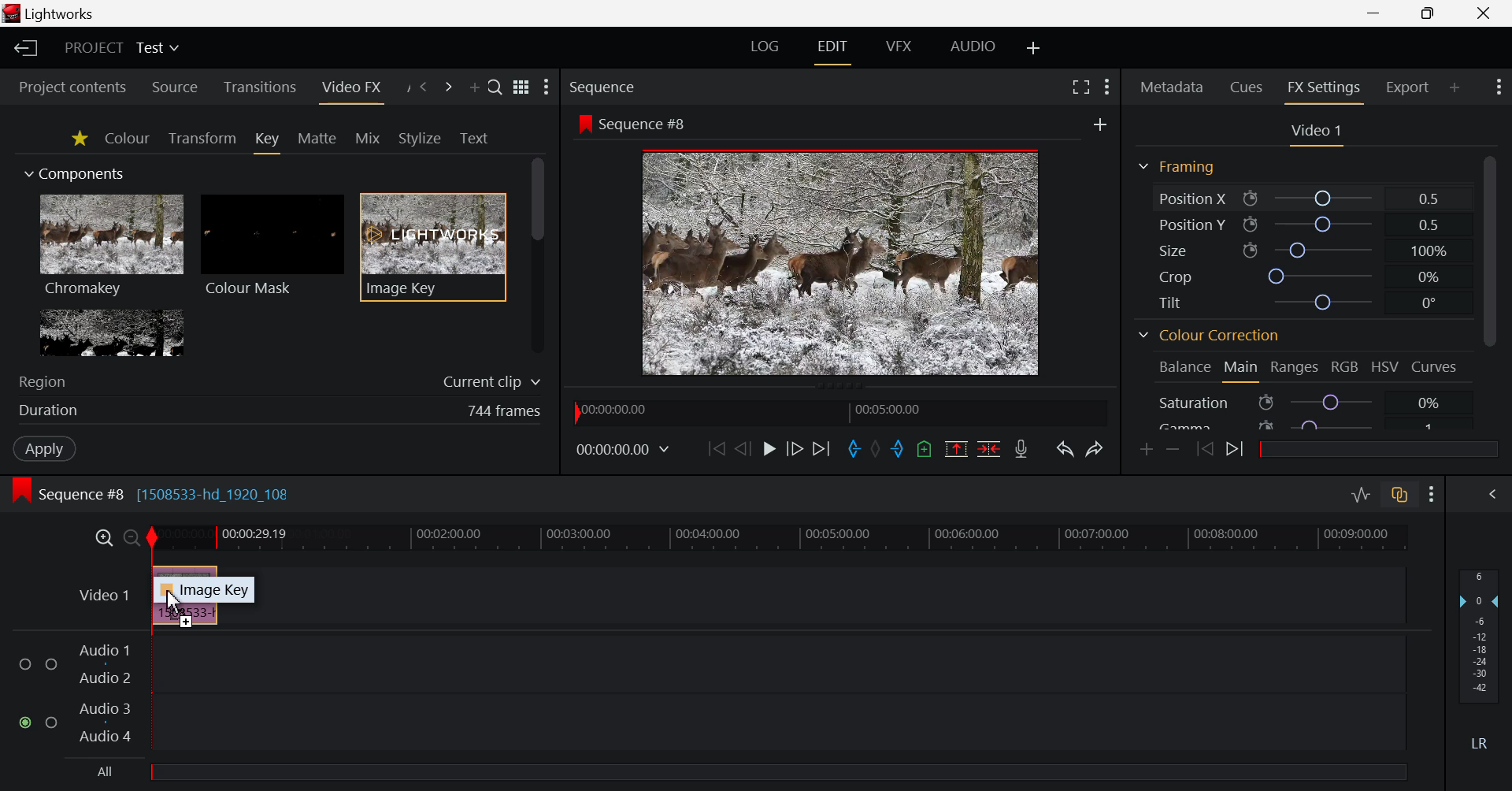  What do you see at coordinates (899, 448) in the screenshot?
I see `Mark Out` at bounding box center [899, 448].